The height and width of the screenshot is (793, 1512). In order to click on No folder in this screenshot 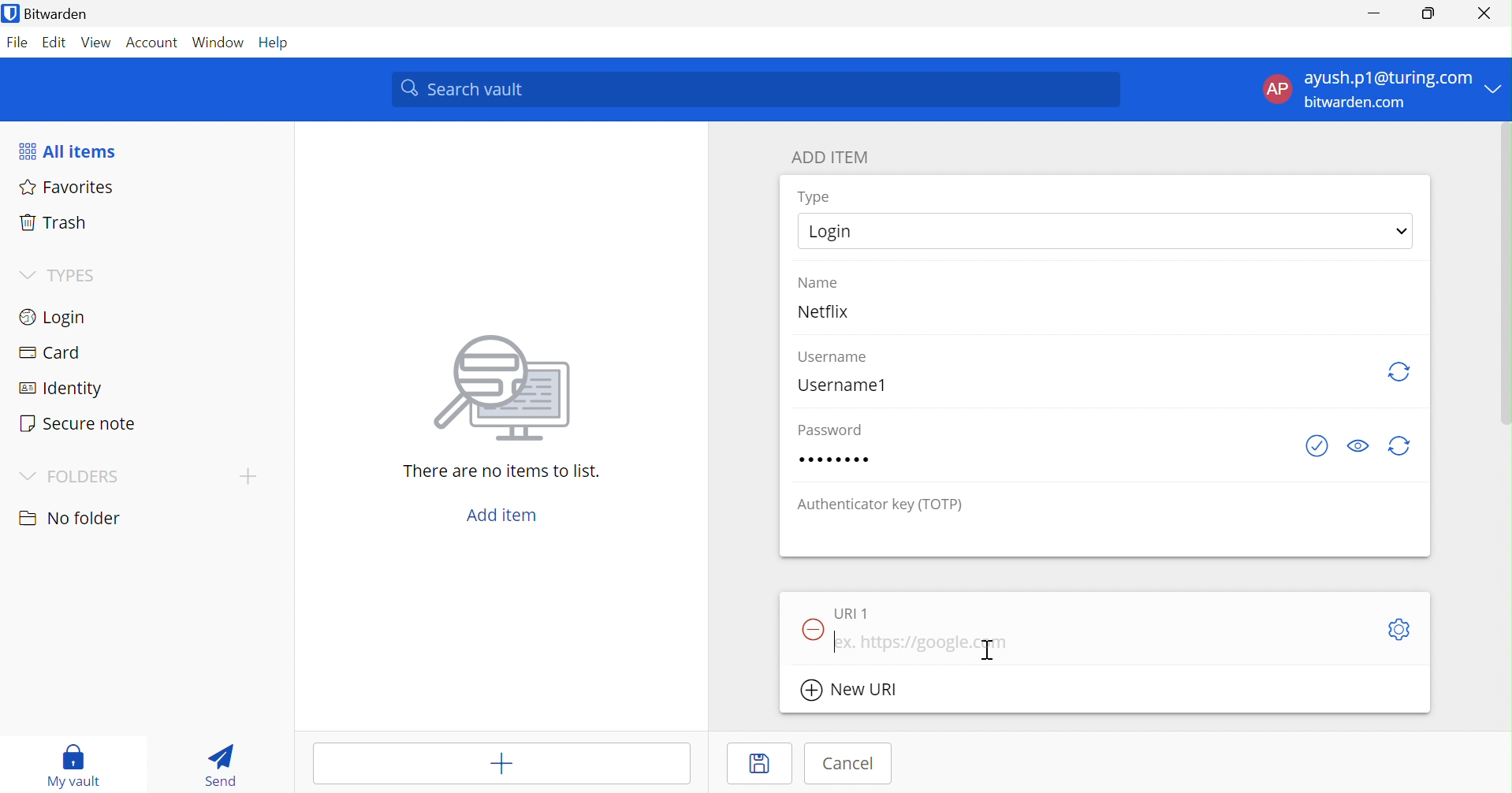, I will do `click(70, 518)`.